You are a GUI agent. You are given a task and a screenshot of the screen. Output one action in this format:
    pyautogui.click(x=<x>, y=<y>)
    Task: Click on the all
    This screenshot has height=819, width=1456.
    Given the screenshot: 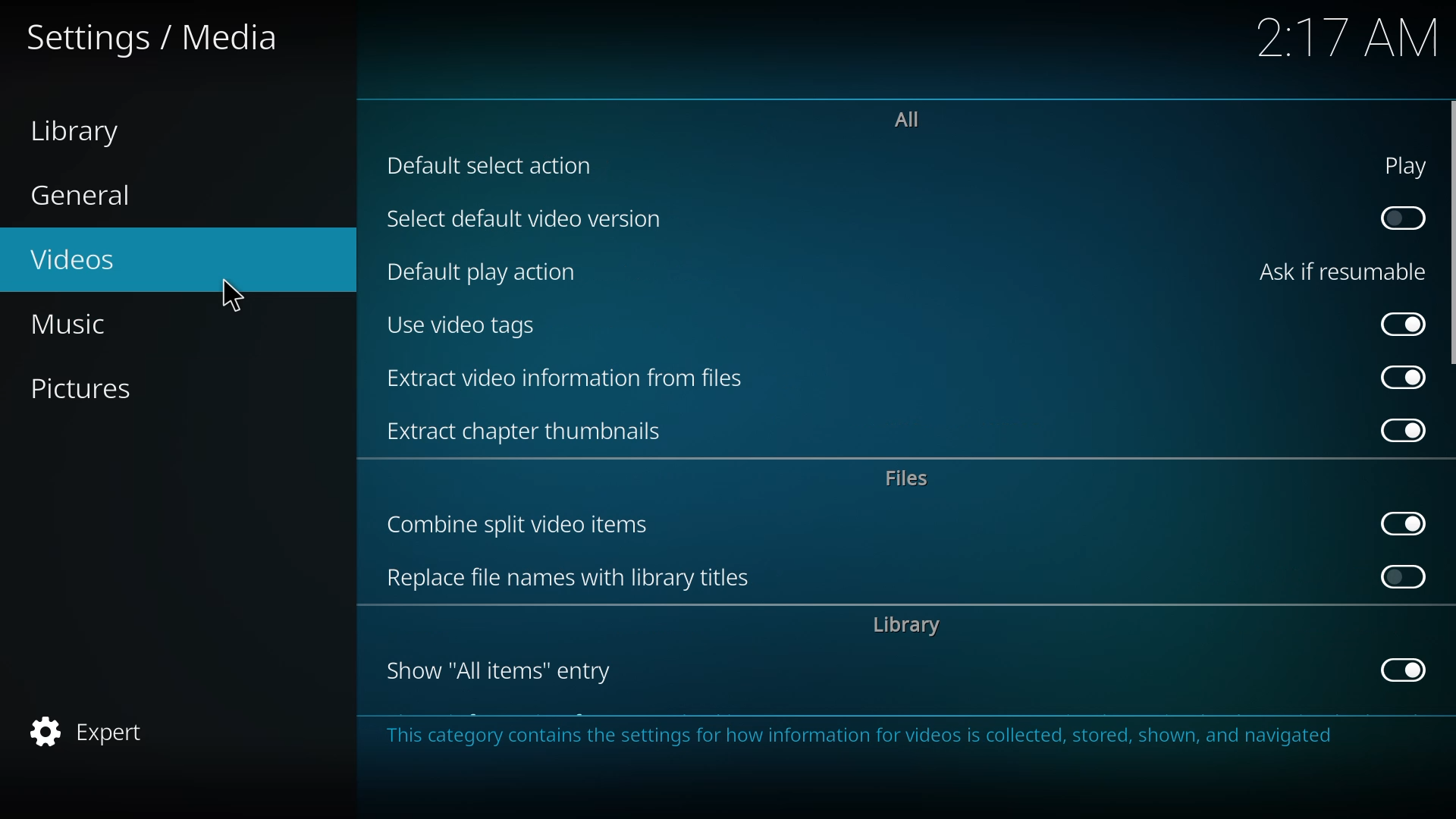 What is the action you would take?
    pyautogui.click(x=907, y=118)
    